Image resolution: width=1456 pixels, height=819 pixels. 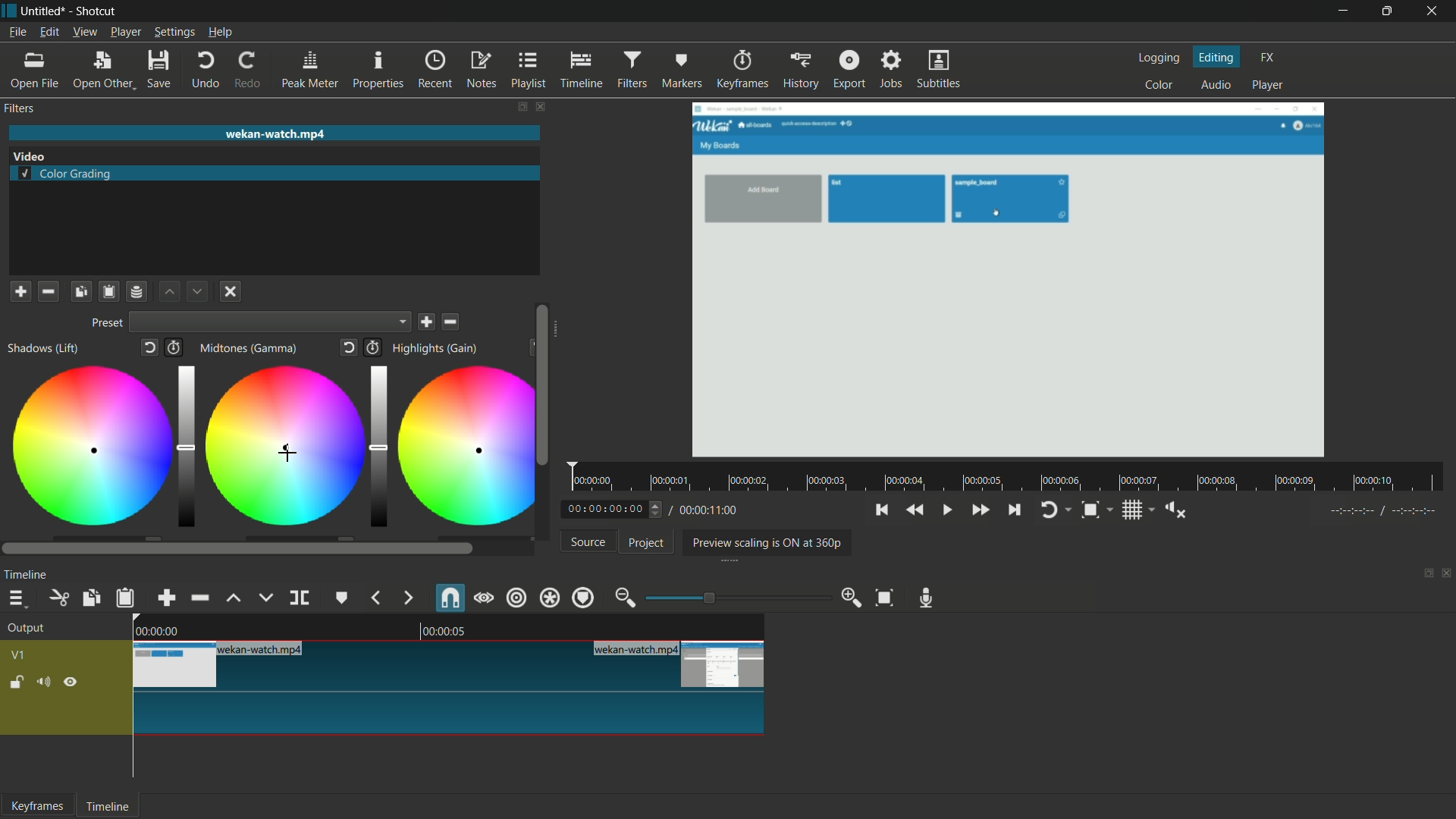 What do you see at coordinates (482, 71) in the screenshot?
I see `notes` at bounding box center [482, 71].